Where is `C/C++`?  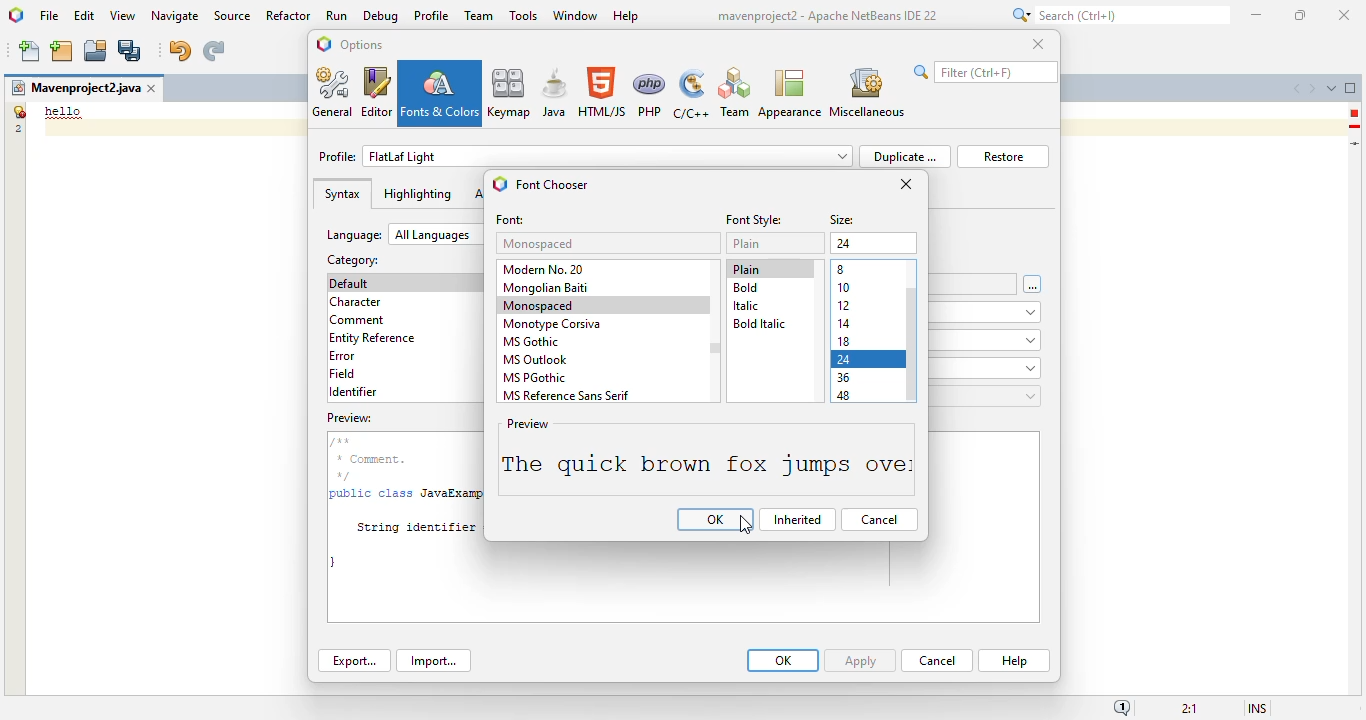
C/C++ is located at coordinates (690, 94).